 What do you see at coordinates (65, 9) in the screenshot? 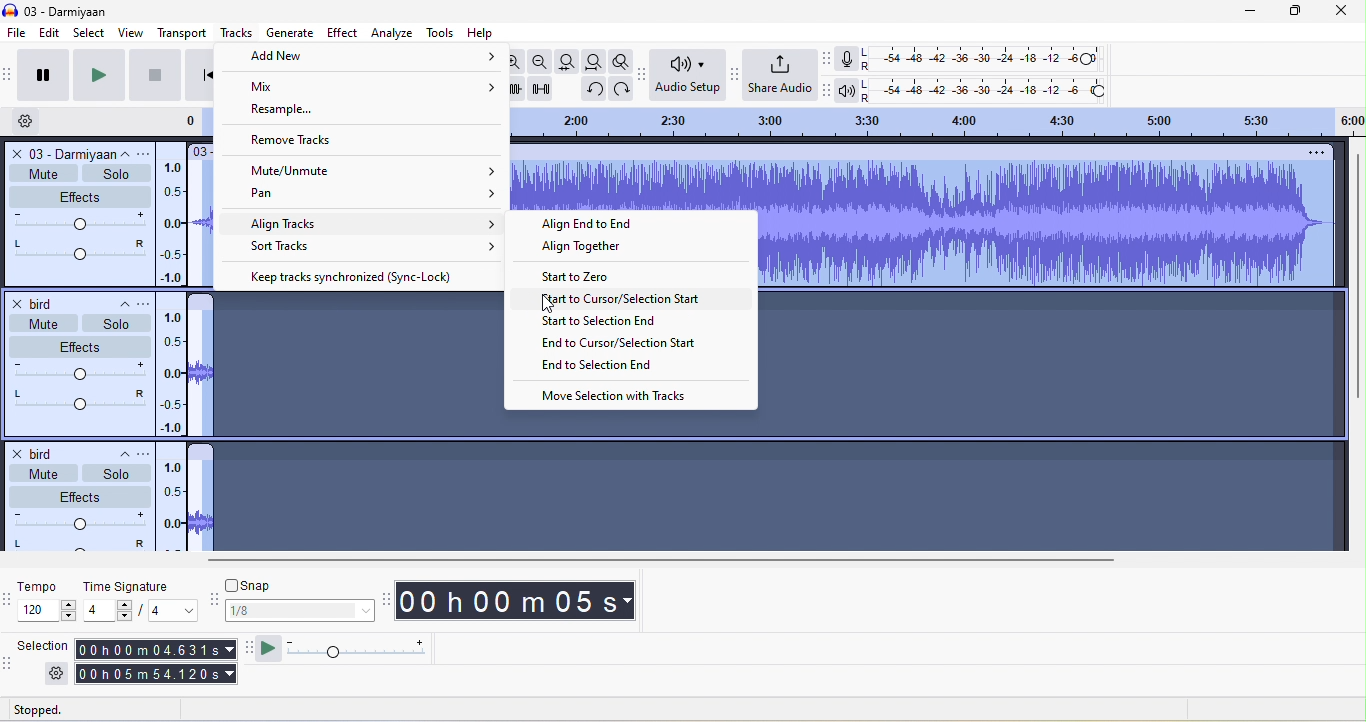
I see `title` at bounding box center [65, 9].